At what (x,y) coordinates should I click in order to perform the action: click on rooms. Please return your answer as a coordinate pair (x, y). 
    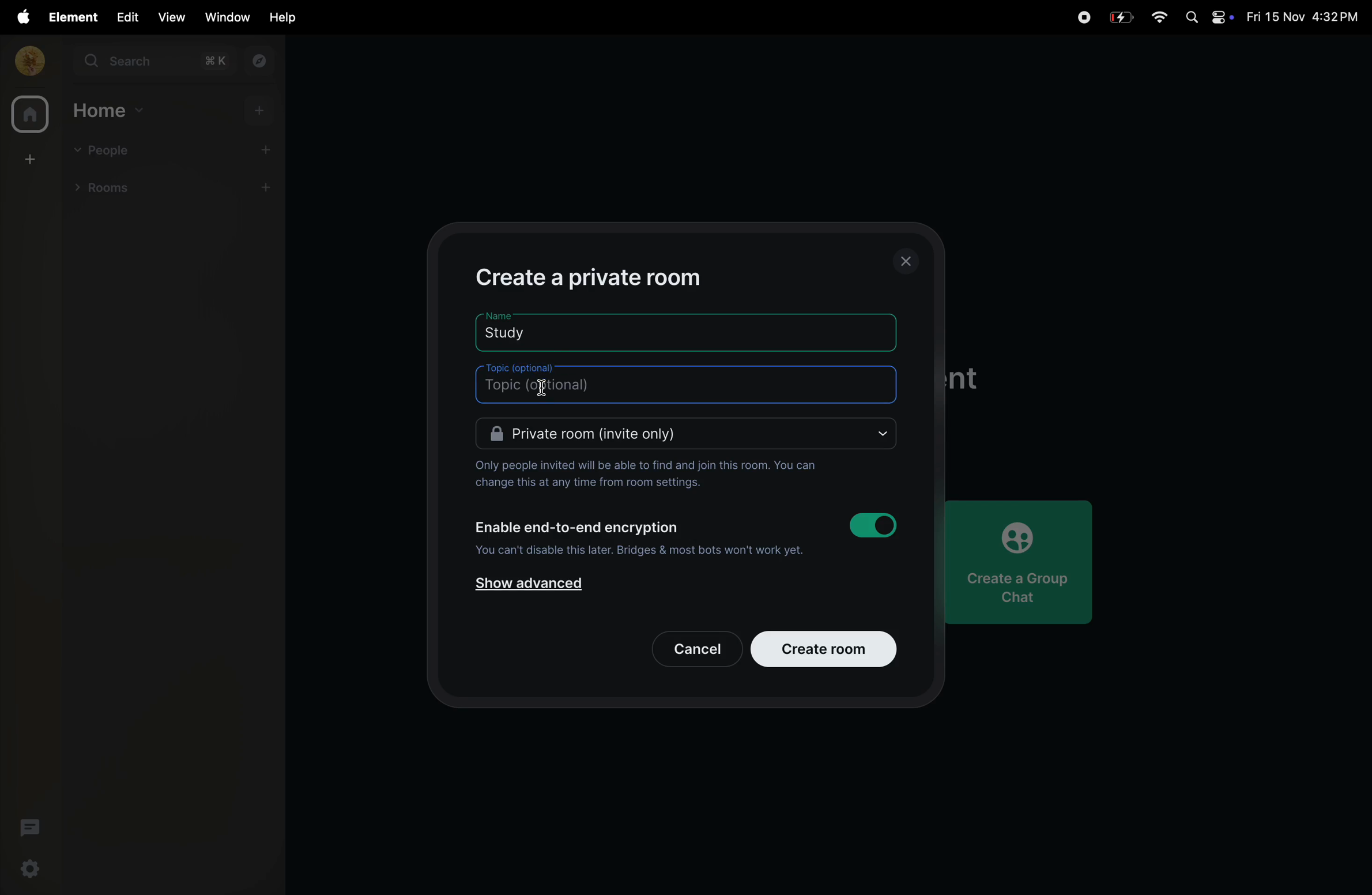
    Looking at the image, I should click on (114, 190).